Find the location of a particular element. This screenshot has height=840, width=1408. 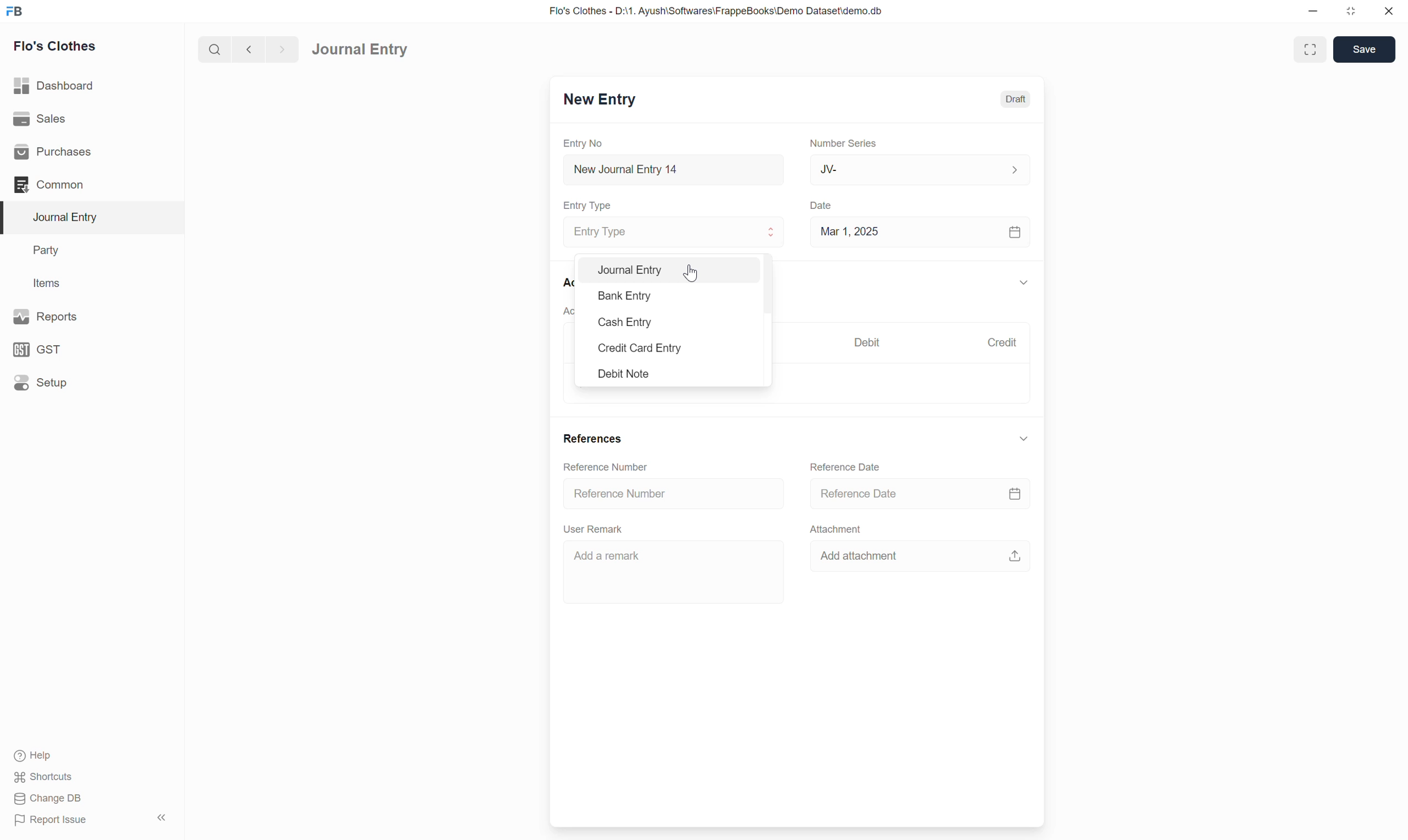

upload is located at coordinates (1015, 554).